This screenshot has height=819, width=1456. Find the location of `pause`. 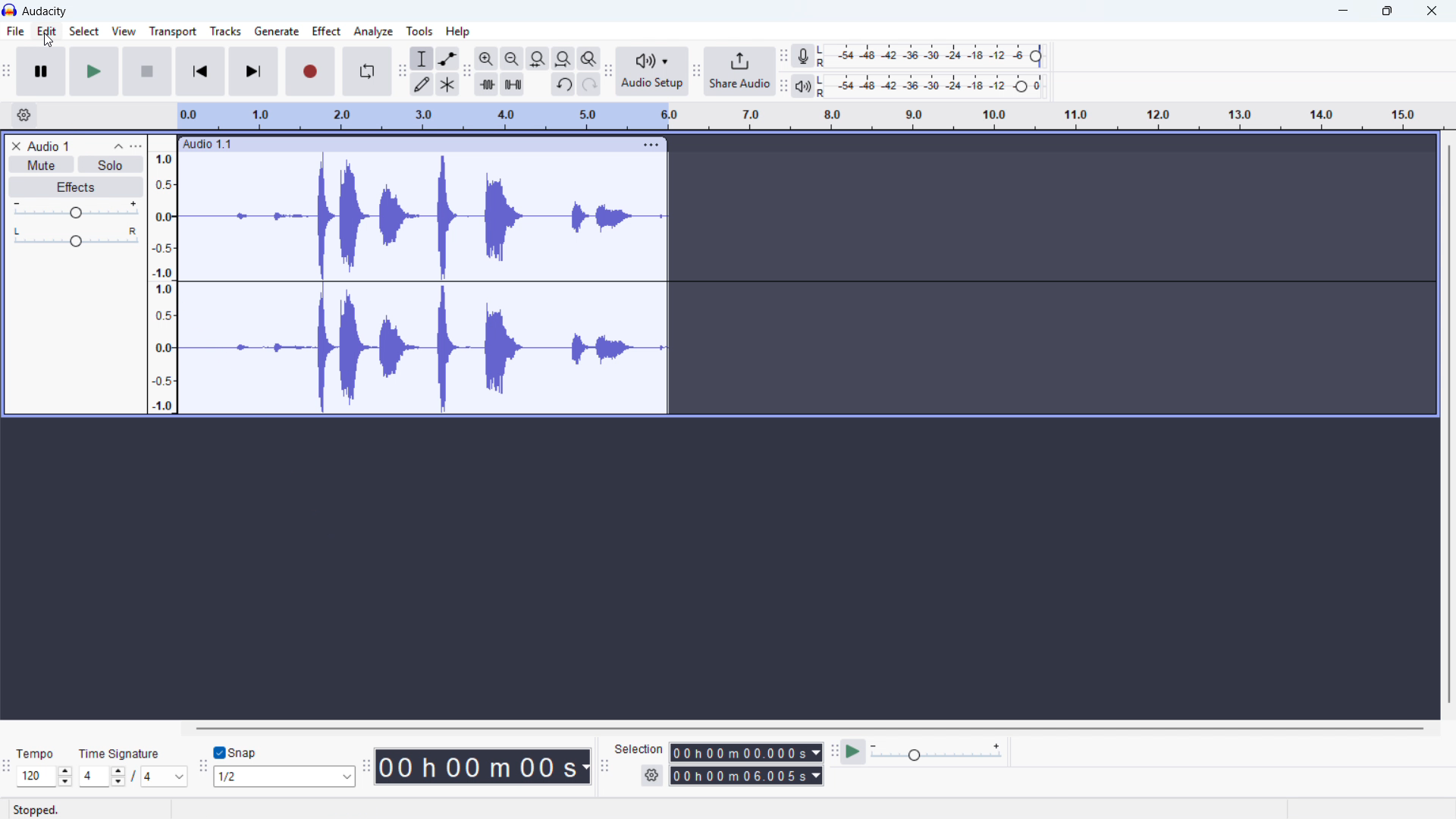

pause is located at coordinates (40, 71).